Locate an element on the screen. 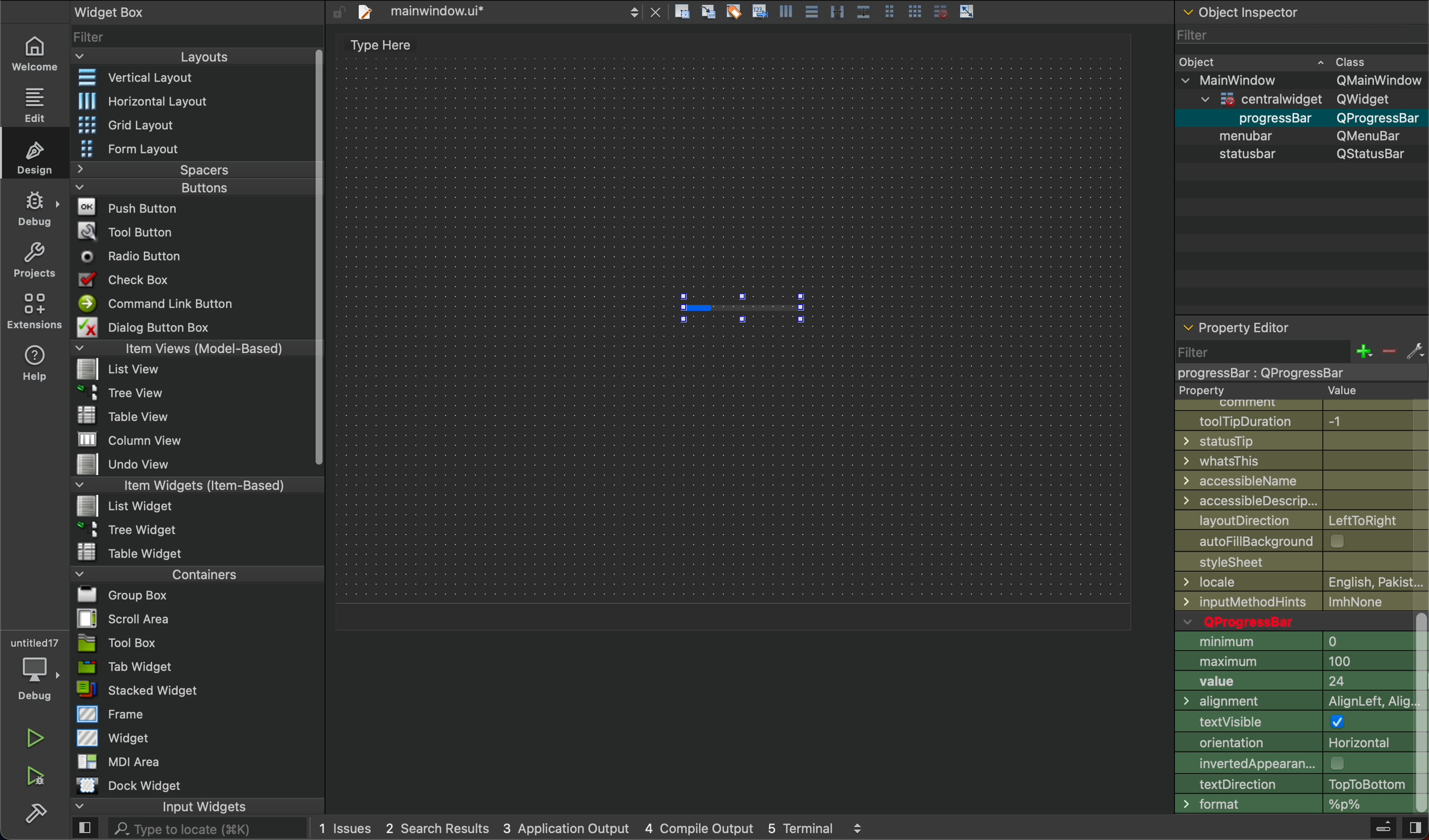 The image size is (1429, 840). search here is located at coordinates (206, 829).